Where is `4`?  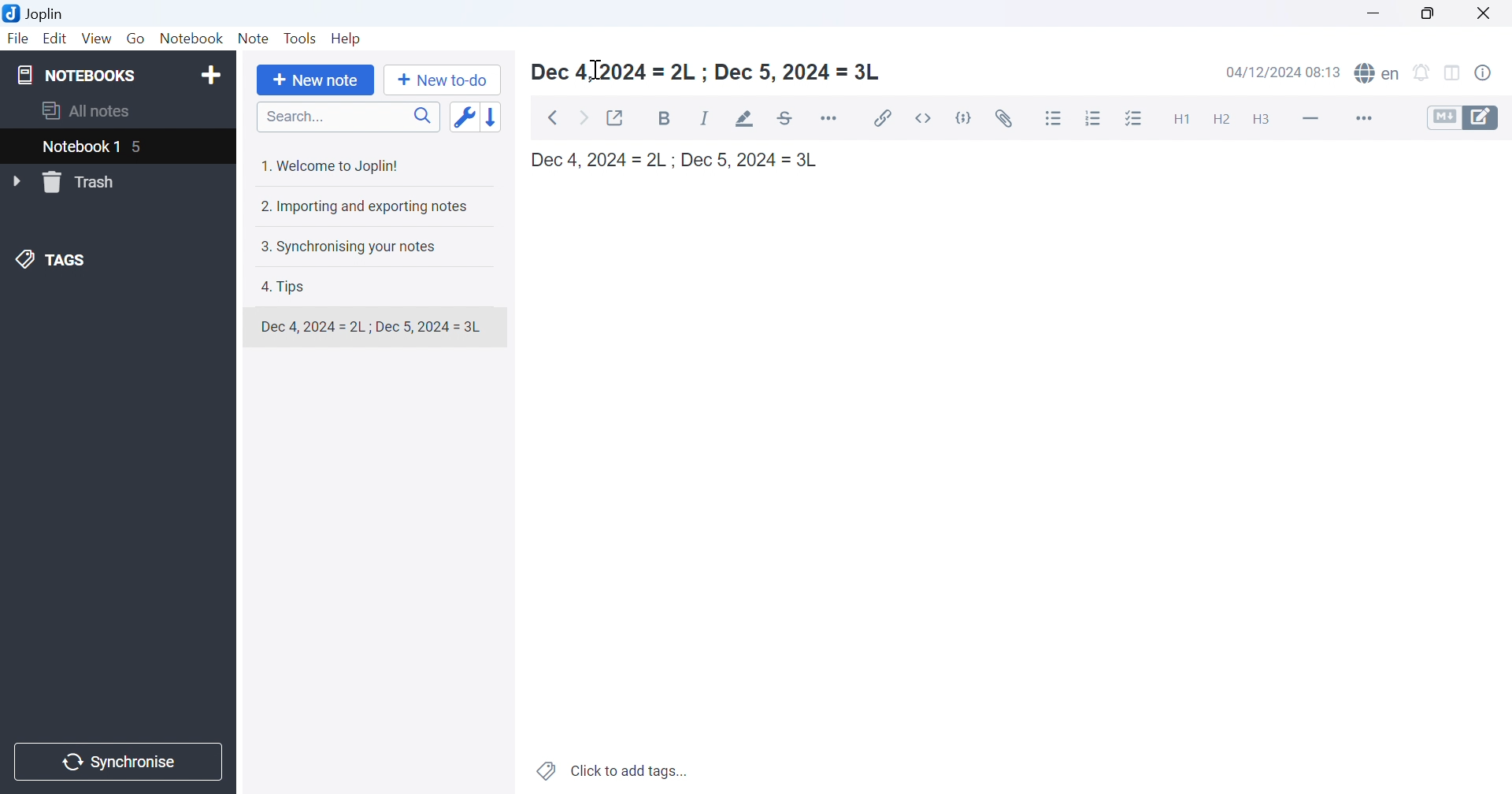 4 is located at coordinates (139, 147).